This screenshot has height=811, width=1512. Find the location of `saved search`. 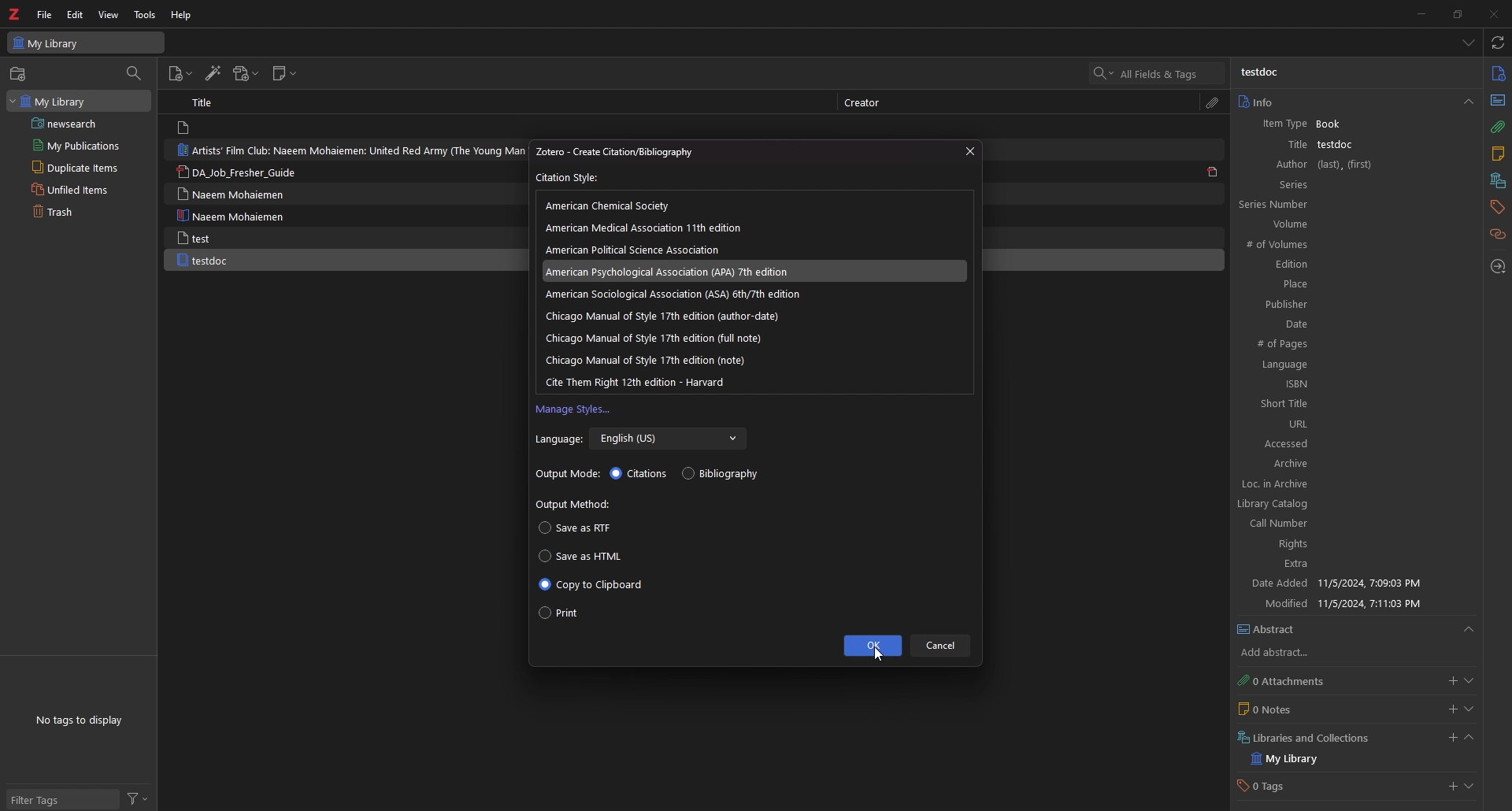

saved search is located at coordinates (81, 123).